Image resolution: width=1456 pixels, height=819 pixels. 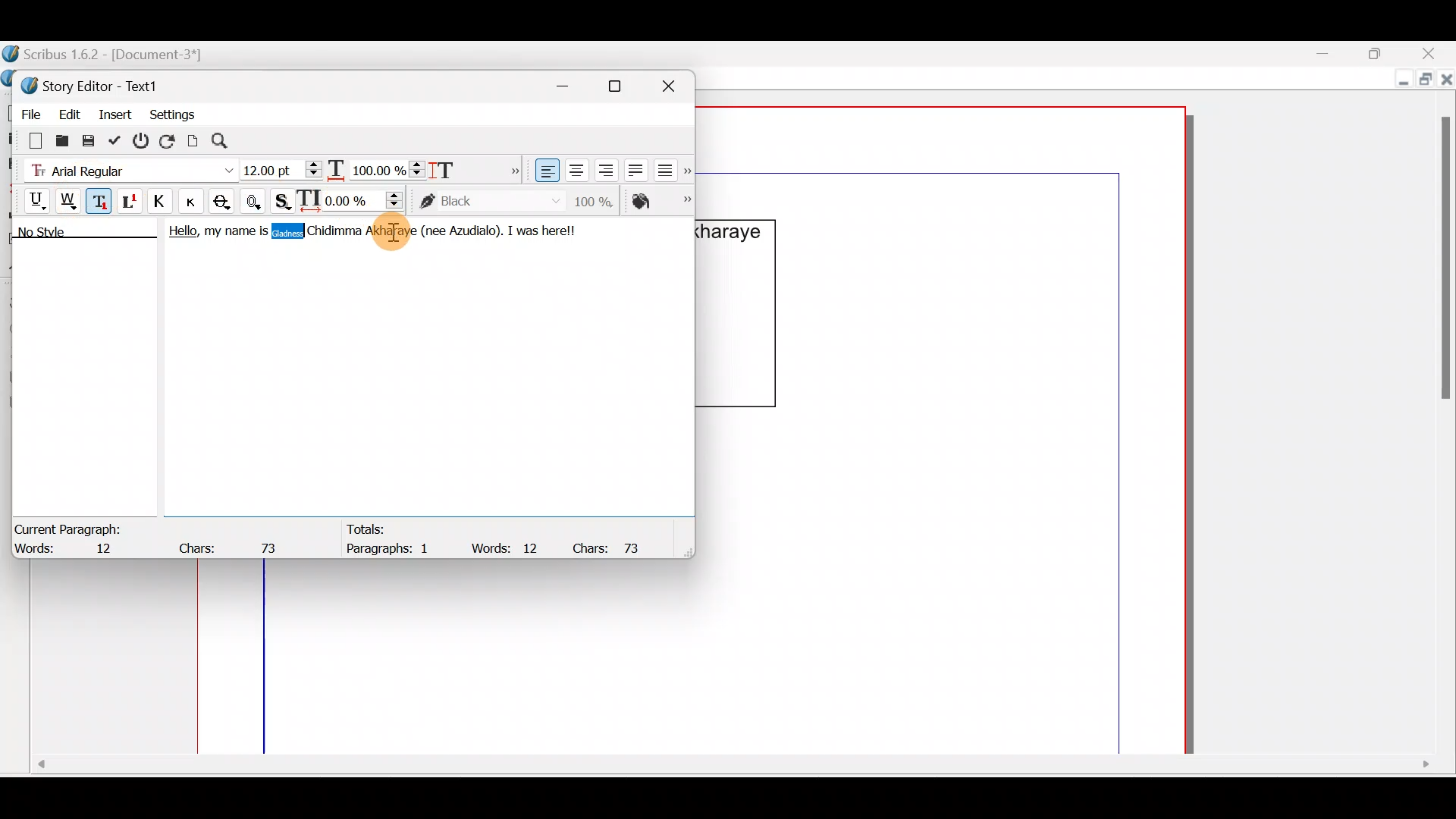 I want to click on Maximize, so click(x=1423, y=81).